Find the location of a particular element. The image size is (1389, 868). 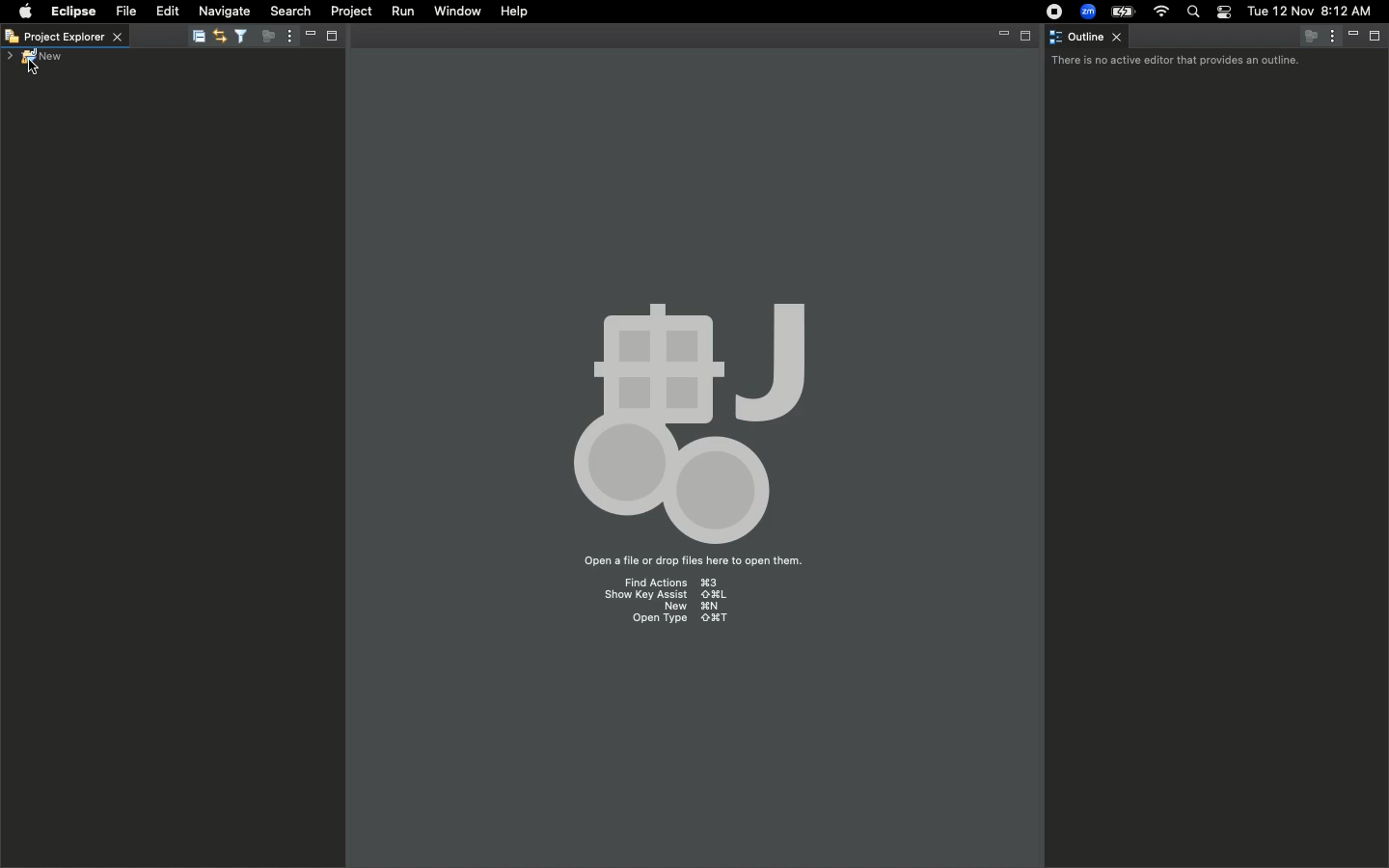

Show key assist is located at coordinates (665, 594).